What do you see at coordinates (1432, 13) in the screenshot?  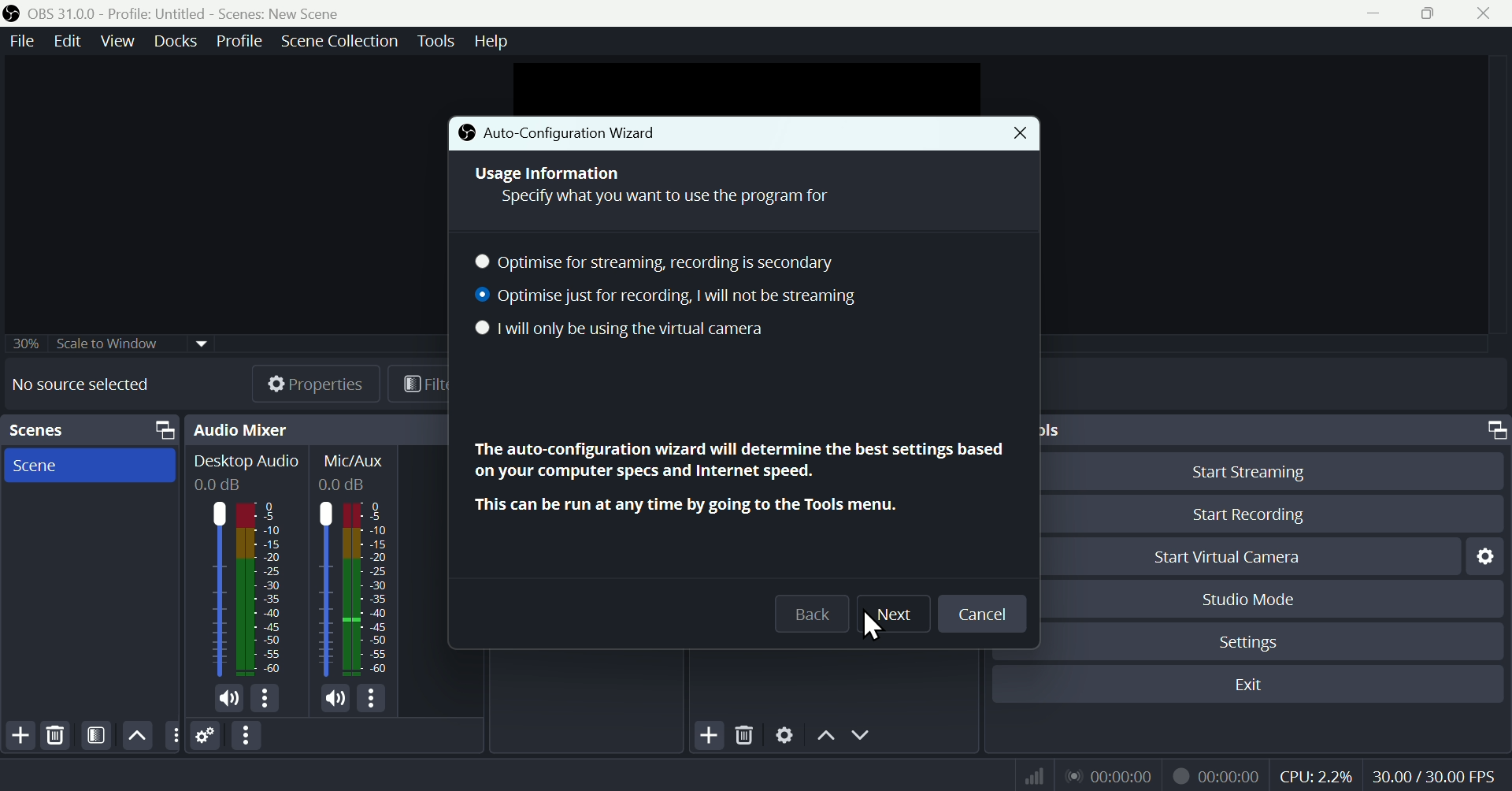 I see `Maximise` at bounding box center [1432, 13].